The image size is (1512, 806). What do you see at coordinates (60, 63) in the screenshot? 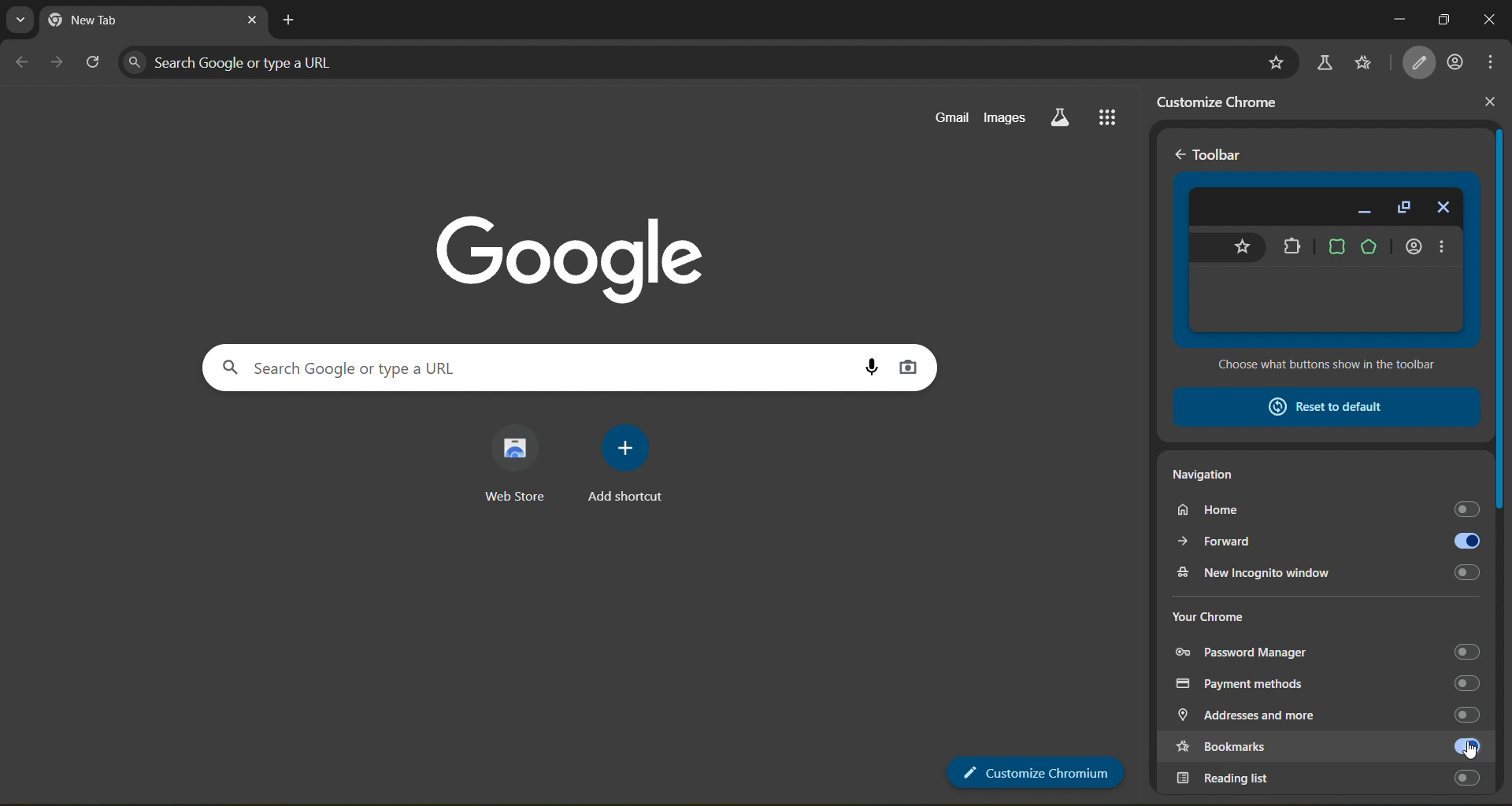
I see `go forward one page` at bounding box center [60, 63].